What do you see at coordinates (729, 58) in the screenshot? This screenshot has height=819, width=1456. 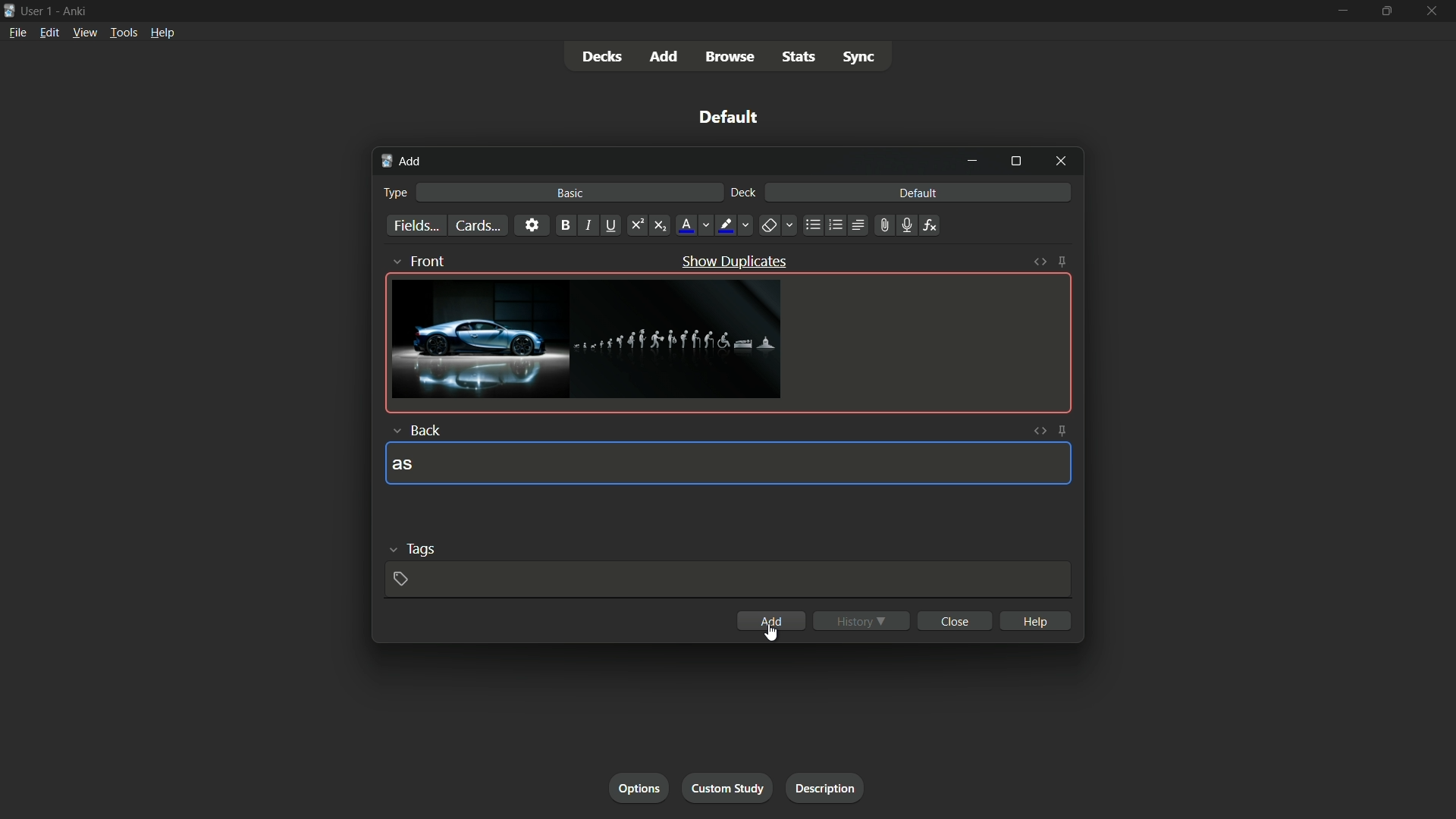 I see `browse` at bounding box center [729, 58].